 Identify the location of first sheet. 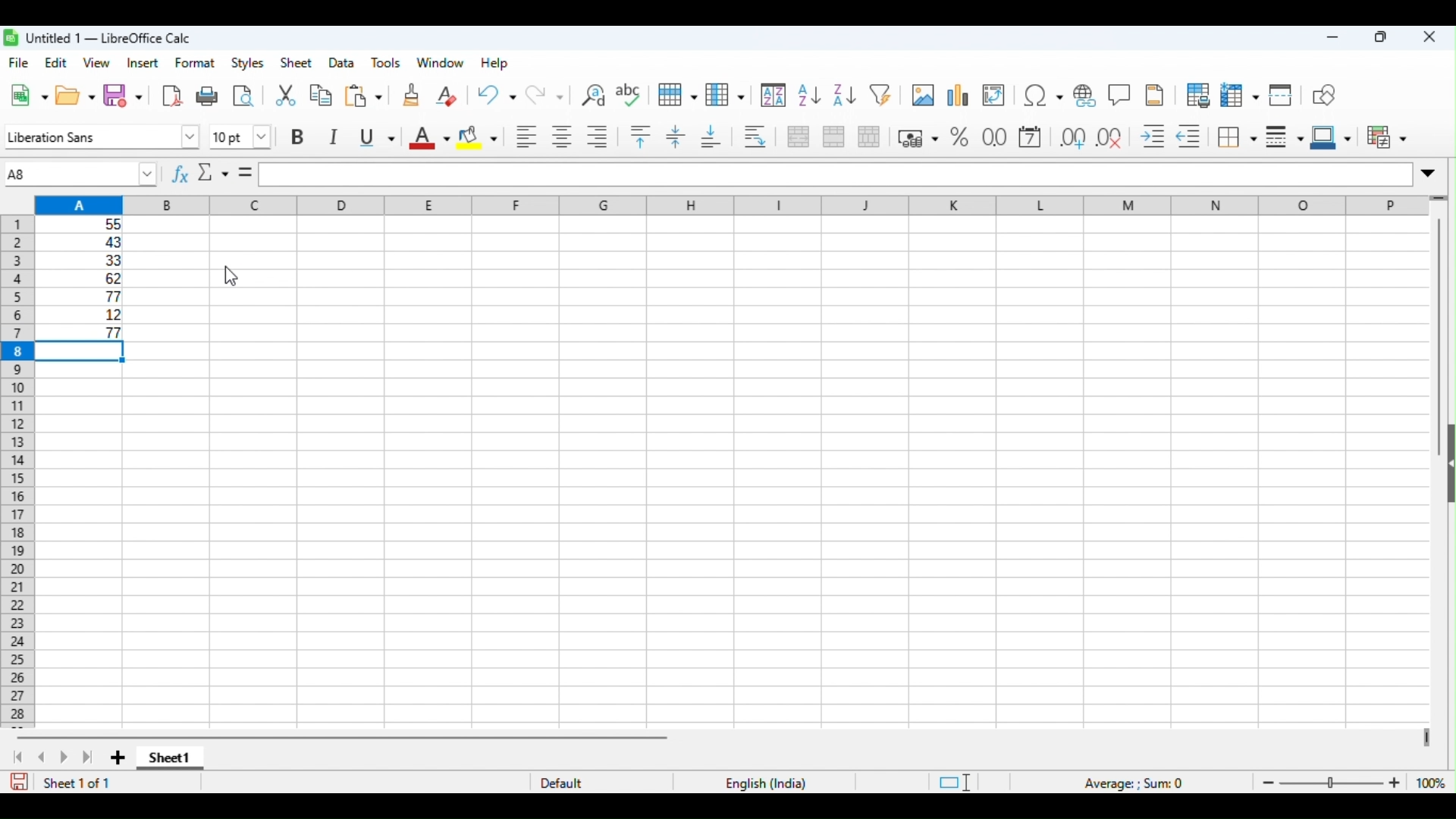
(17, 758).